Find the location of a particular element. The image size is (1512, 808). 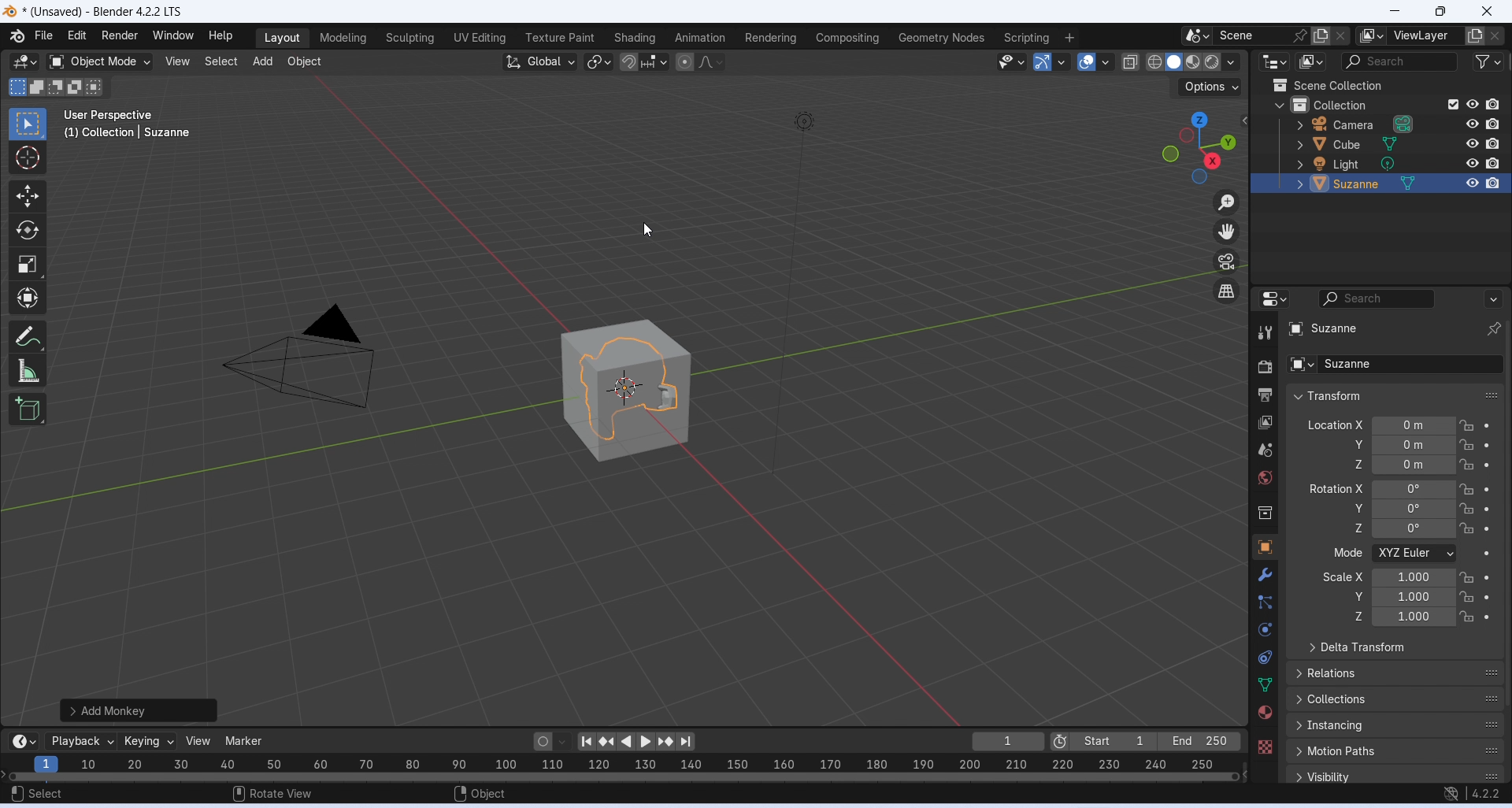

view layer is located at coordinates (1425, 35).